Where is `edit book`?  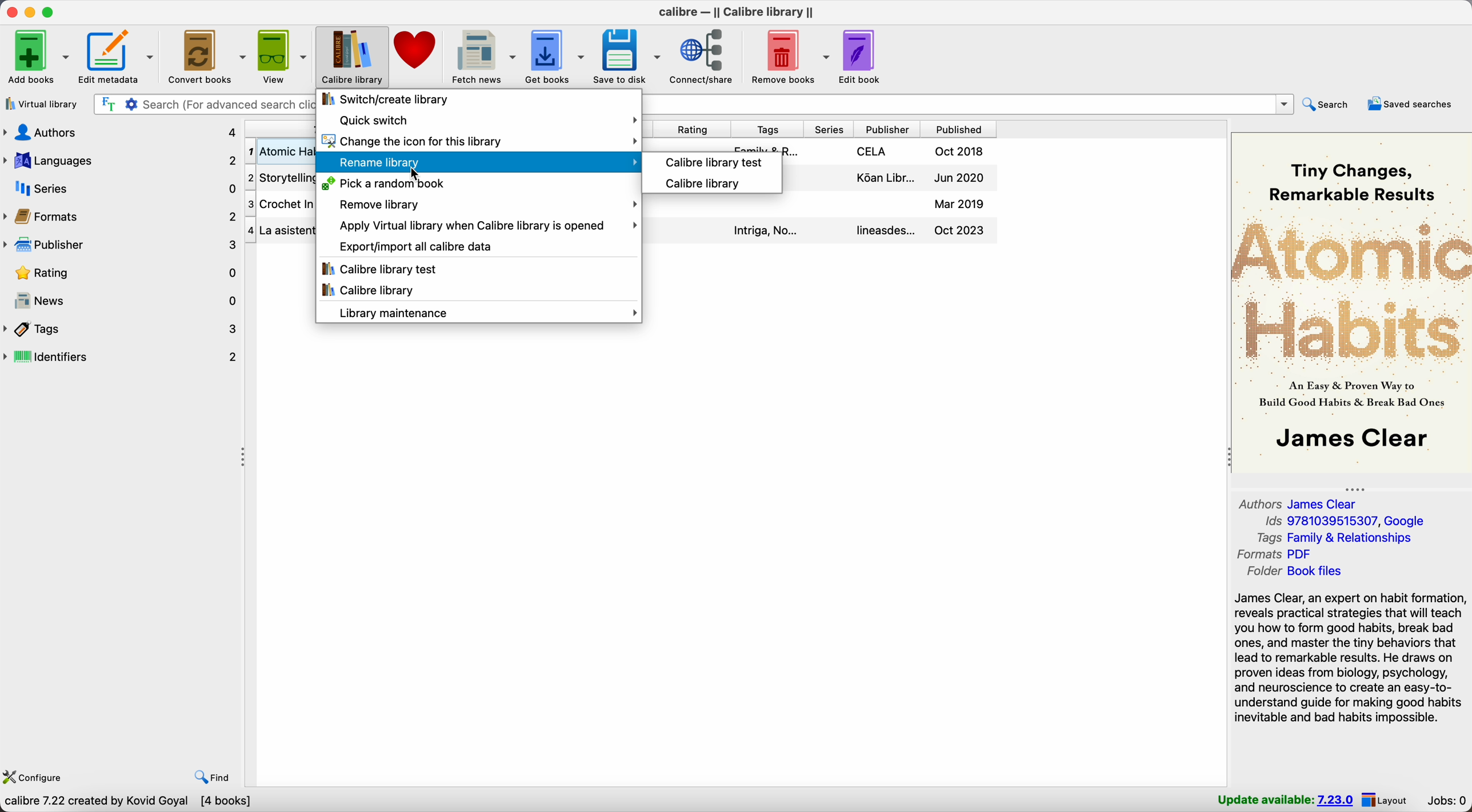
edit book is located at coordinates (862, 57).